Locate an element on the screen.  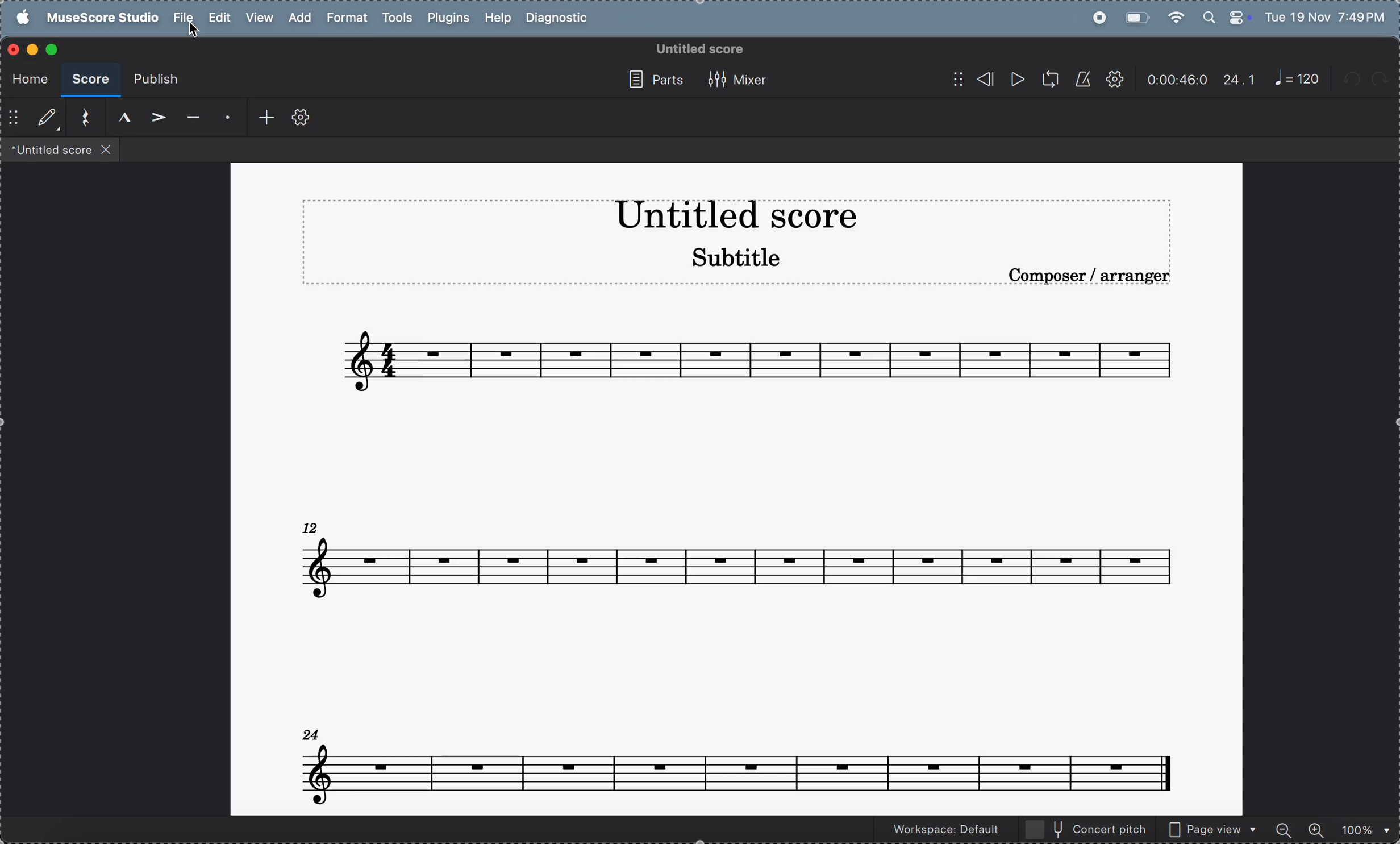
tools is located at coordinates (397, 19).